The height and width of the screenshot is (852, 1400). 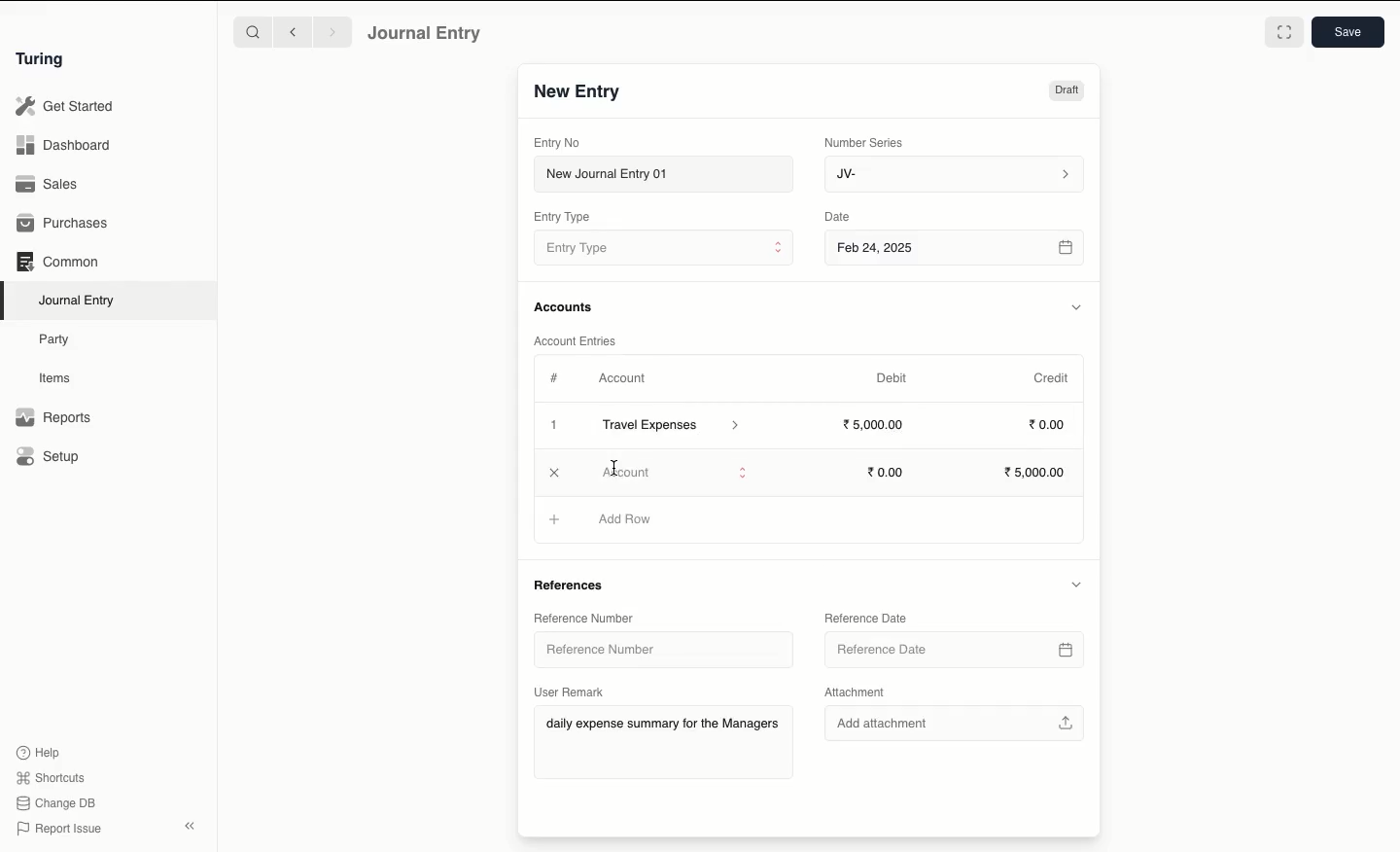 I want to click on cursor, so click(x=617, y=465).